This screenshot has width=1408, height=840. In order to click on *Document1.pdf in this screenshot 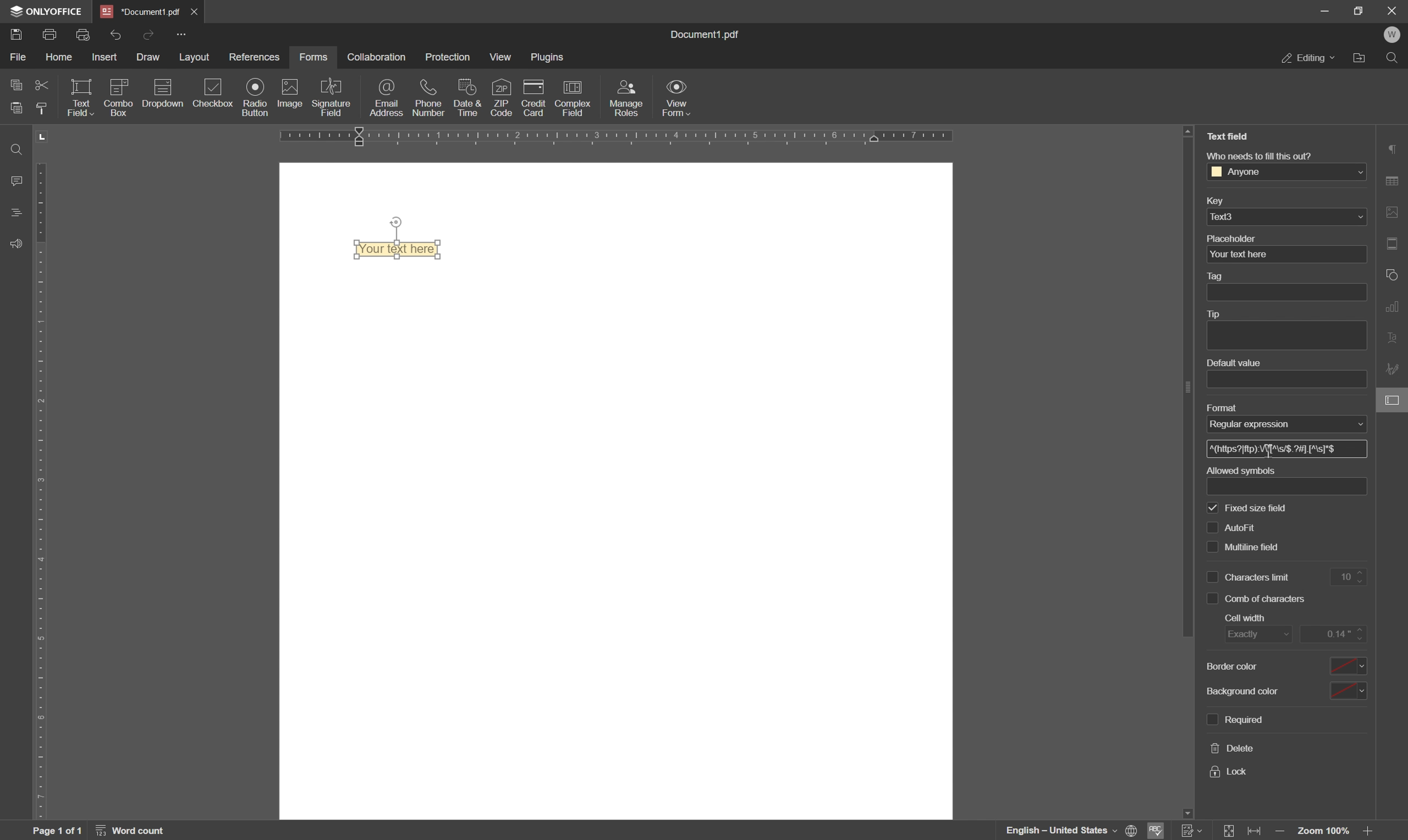, I will do `click(196, 11)`.